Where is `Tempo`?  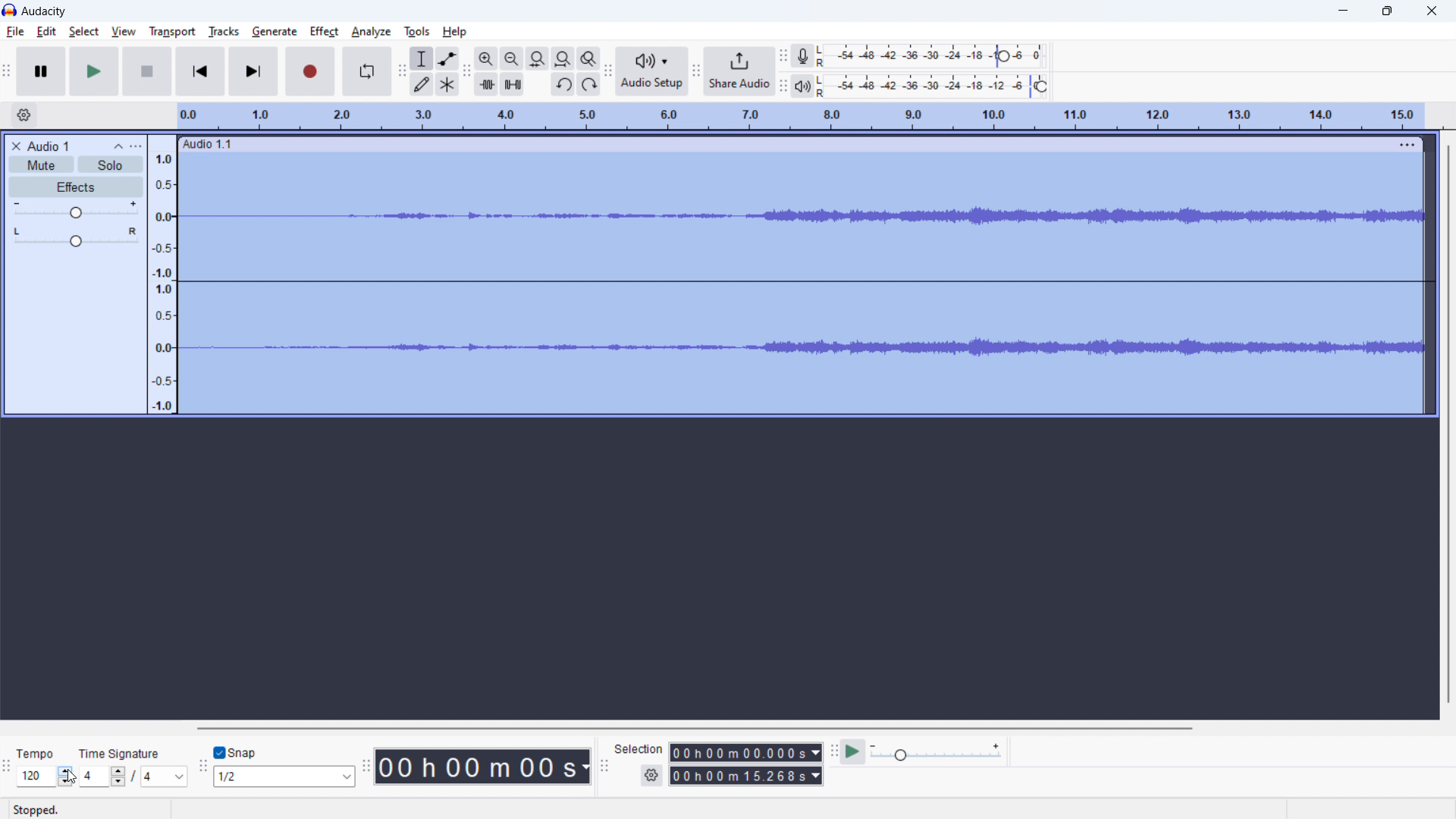
Tempo is located at coordinates (36, 752).